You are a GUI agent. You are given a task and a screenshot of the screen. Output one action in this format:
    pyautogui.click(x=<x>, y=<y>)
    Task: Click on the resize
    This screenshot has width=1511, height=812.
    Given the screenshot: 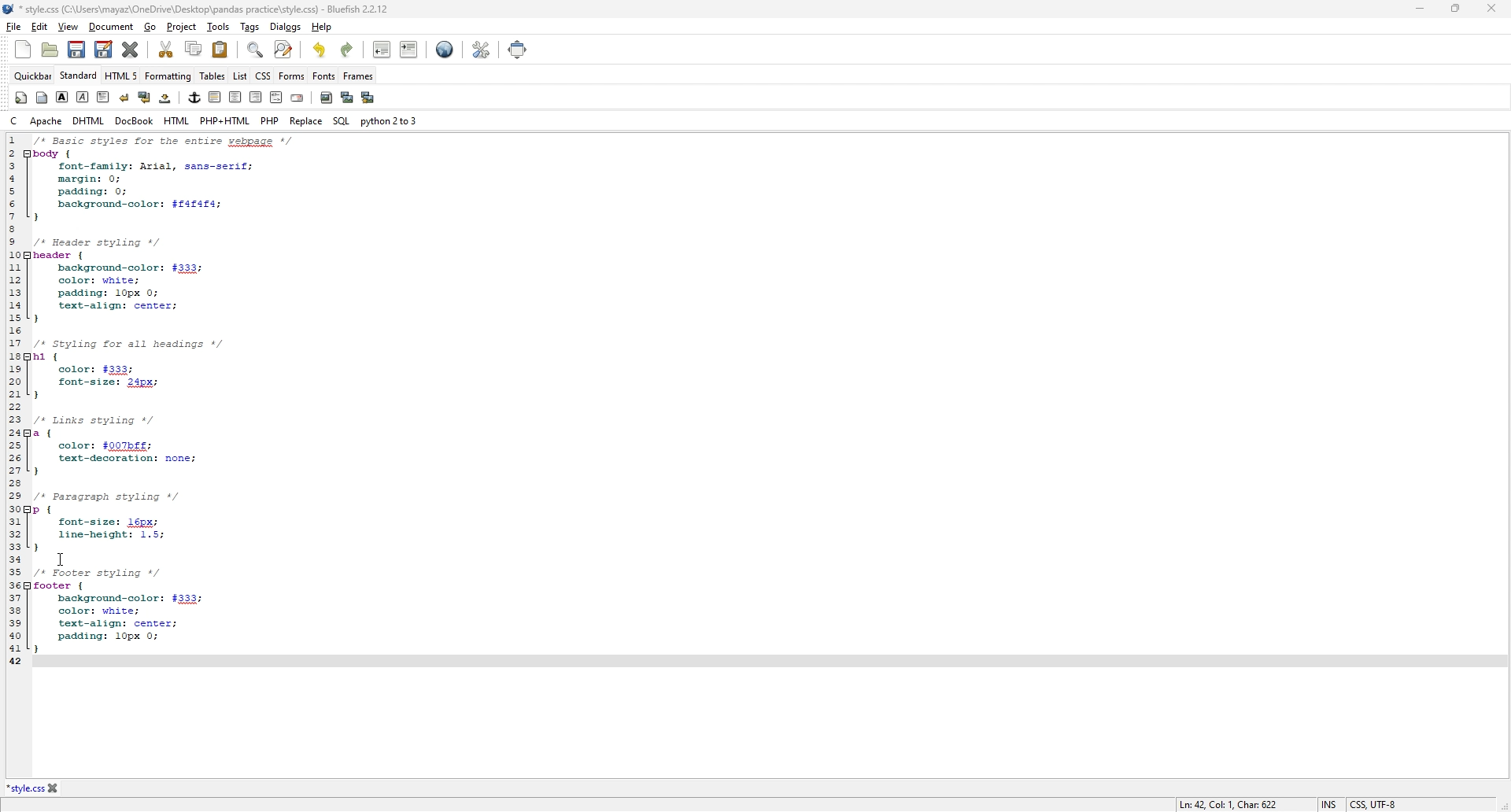 What is the action you would take?
    pyautogui.click(x=1454, y=9)
    